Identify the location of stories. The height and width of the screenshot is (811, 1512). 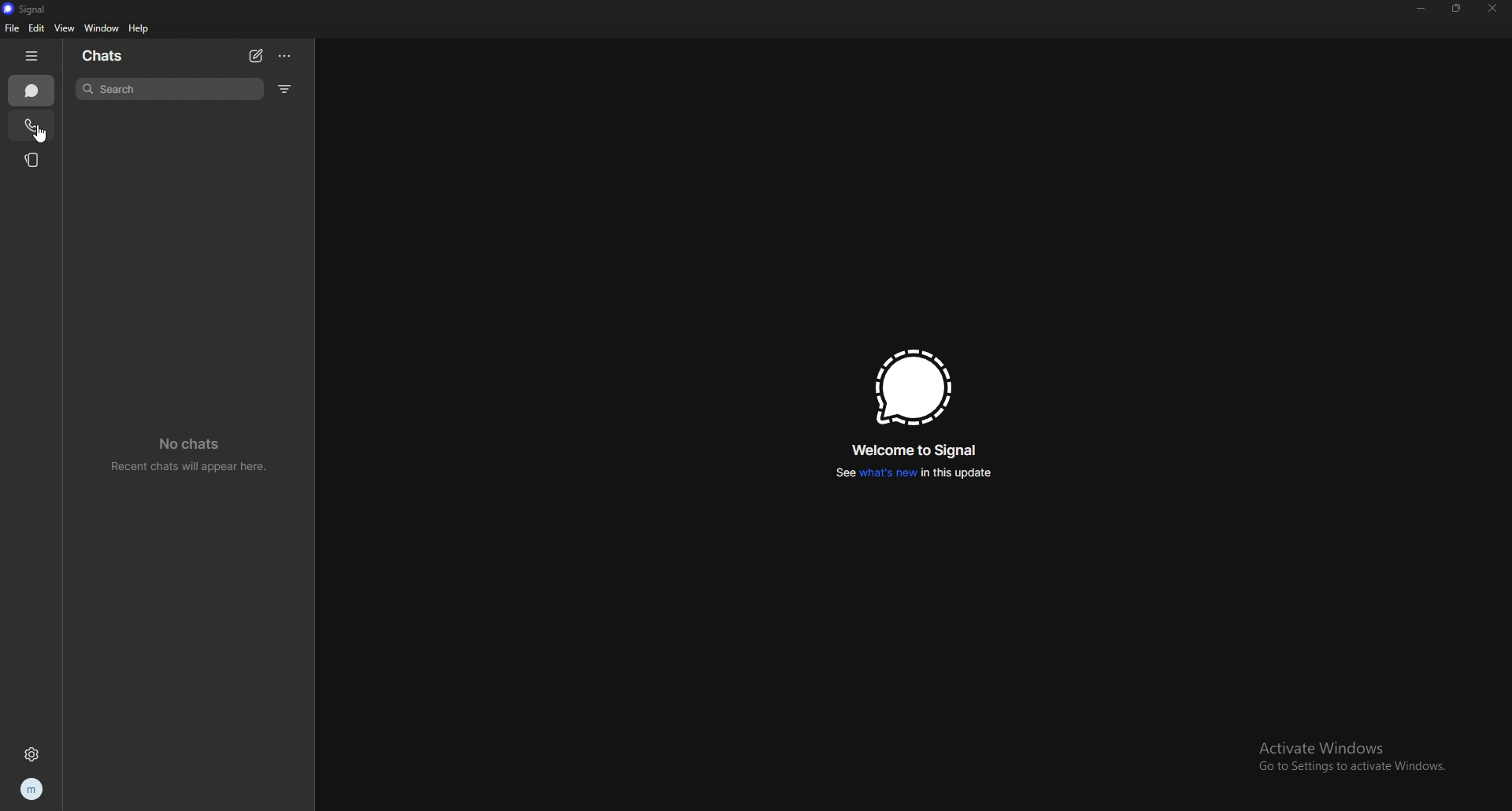
(33, 158).